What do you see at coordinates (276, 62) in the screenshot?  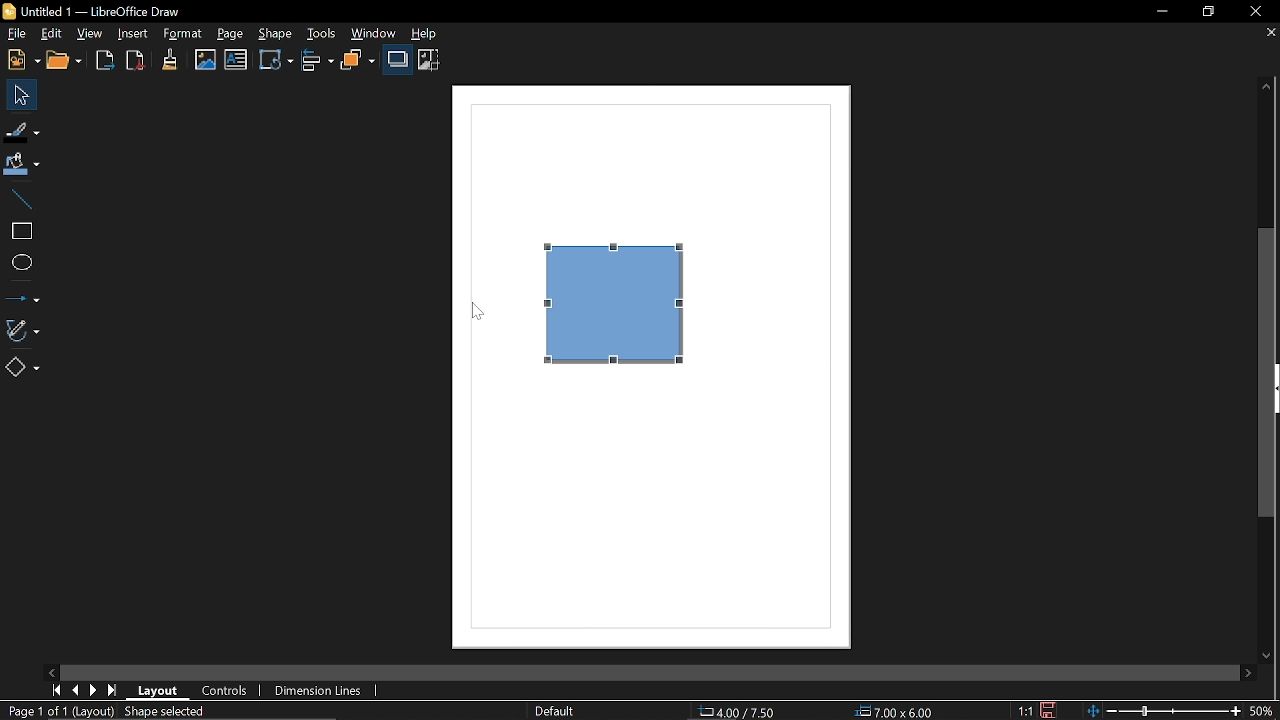 I see `Transformation` at bounding box center [276, 62].